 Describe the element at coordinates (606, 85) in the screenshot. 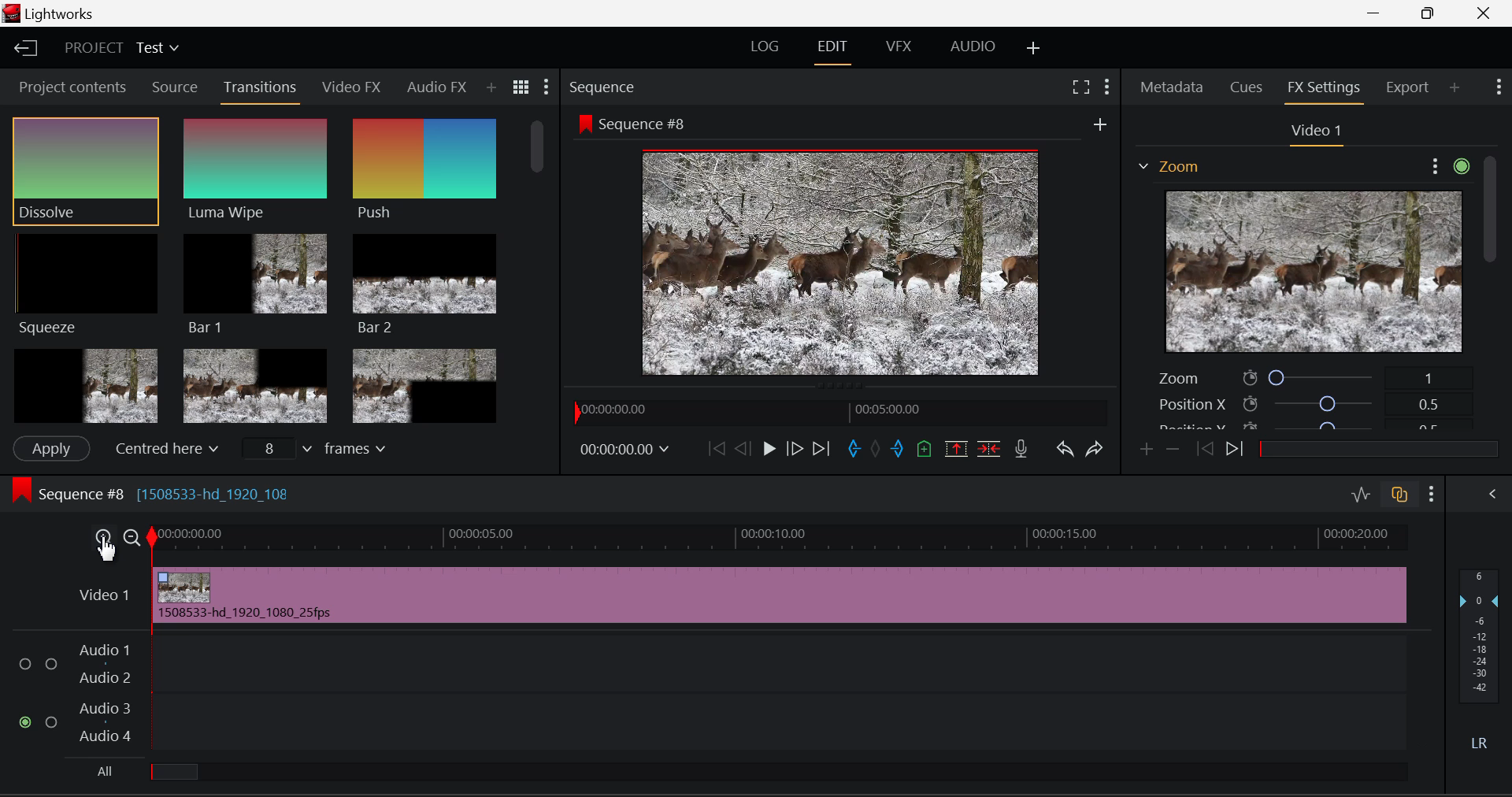

I see `Sequence Preview Section` at that location.